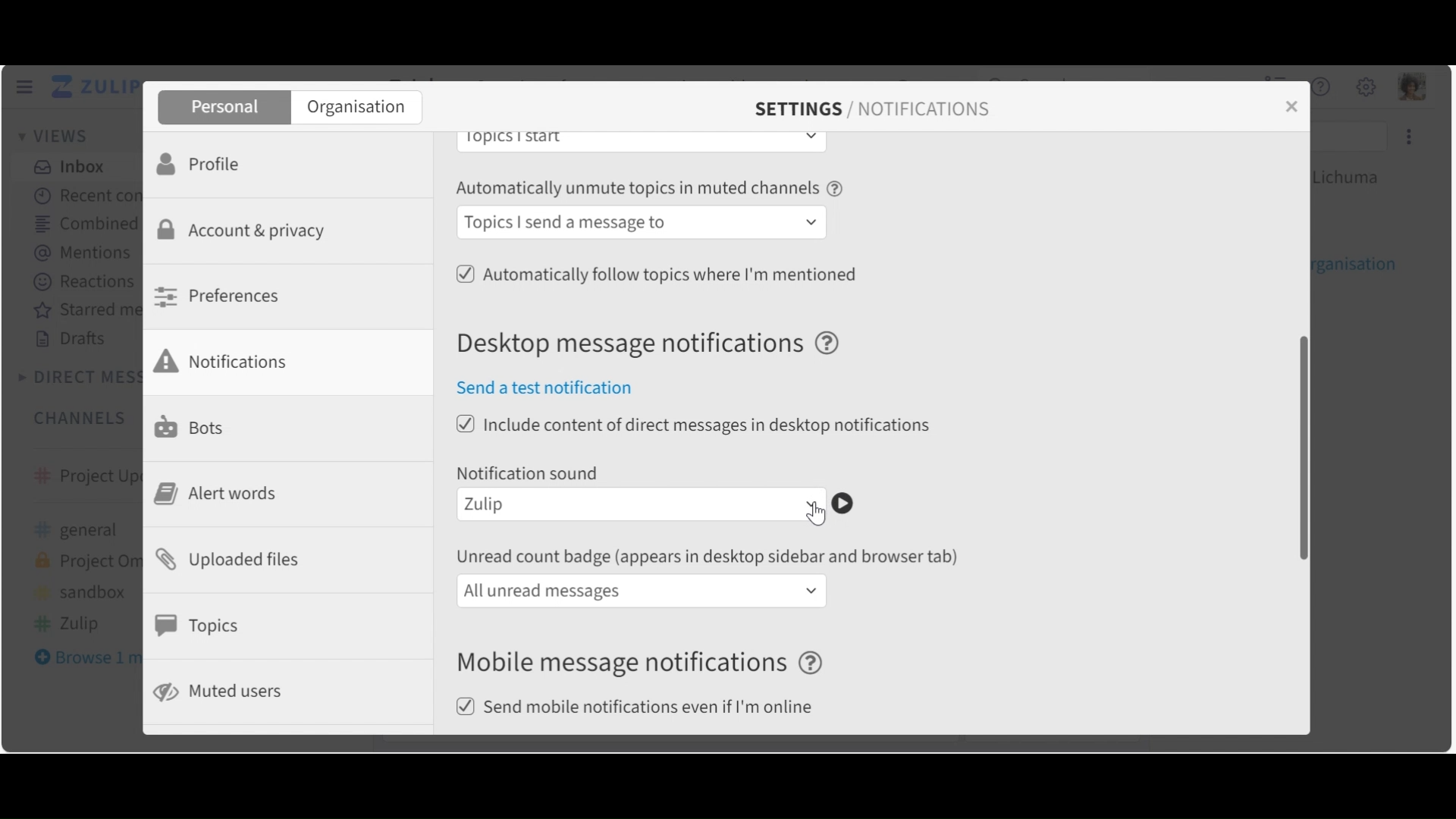 The height and width of the screenshot is (819, 1456). What do you see at coordinates (656, 344) in the screenshot?
I see `Desktop message notifications` at bounding box center [656, 344].